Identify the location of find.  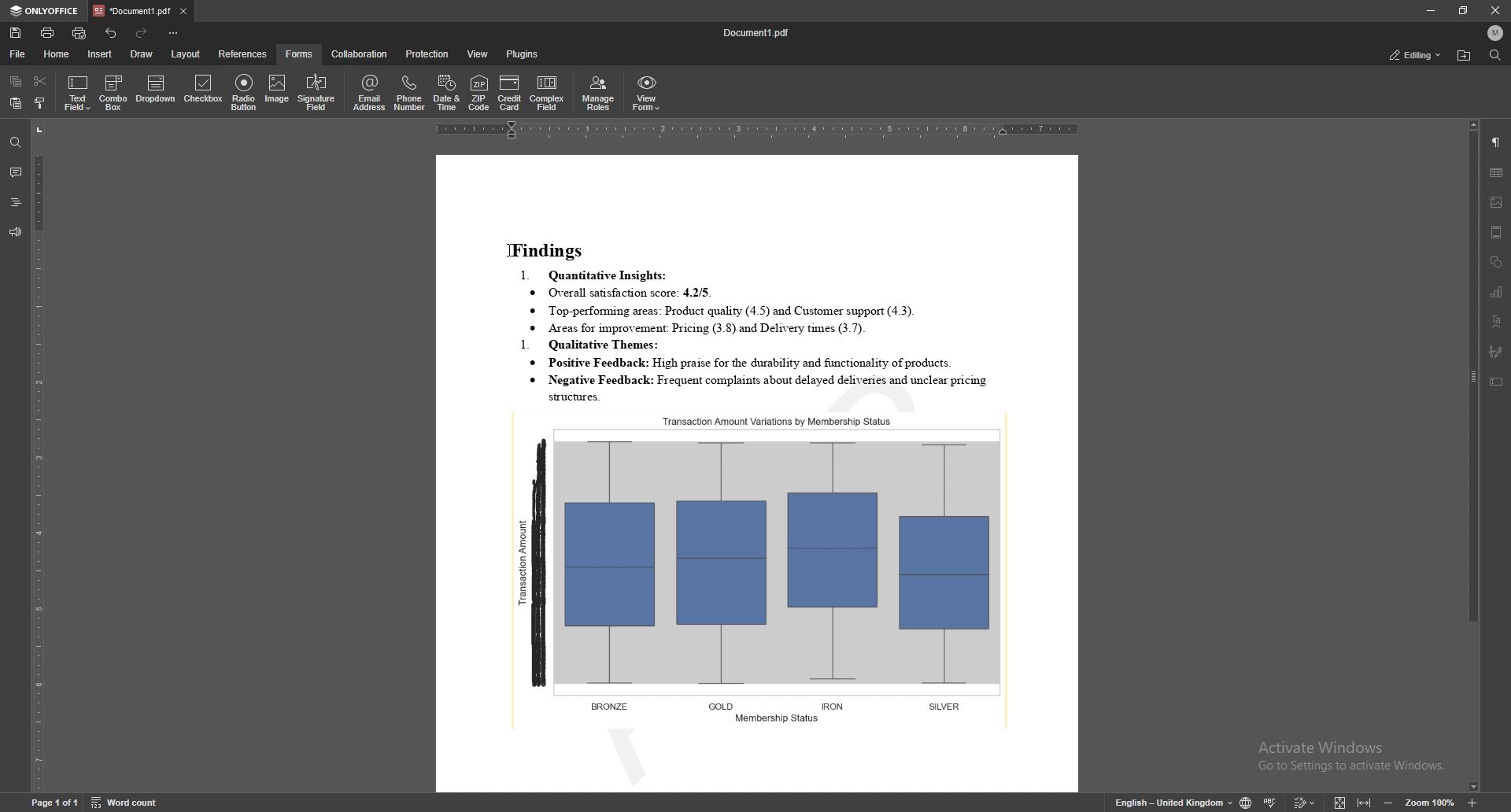
(14, 143).